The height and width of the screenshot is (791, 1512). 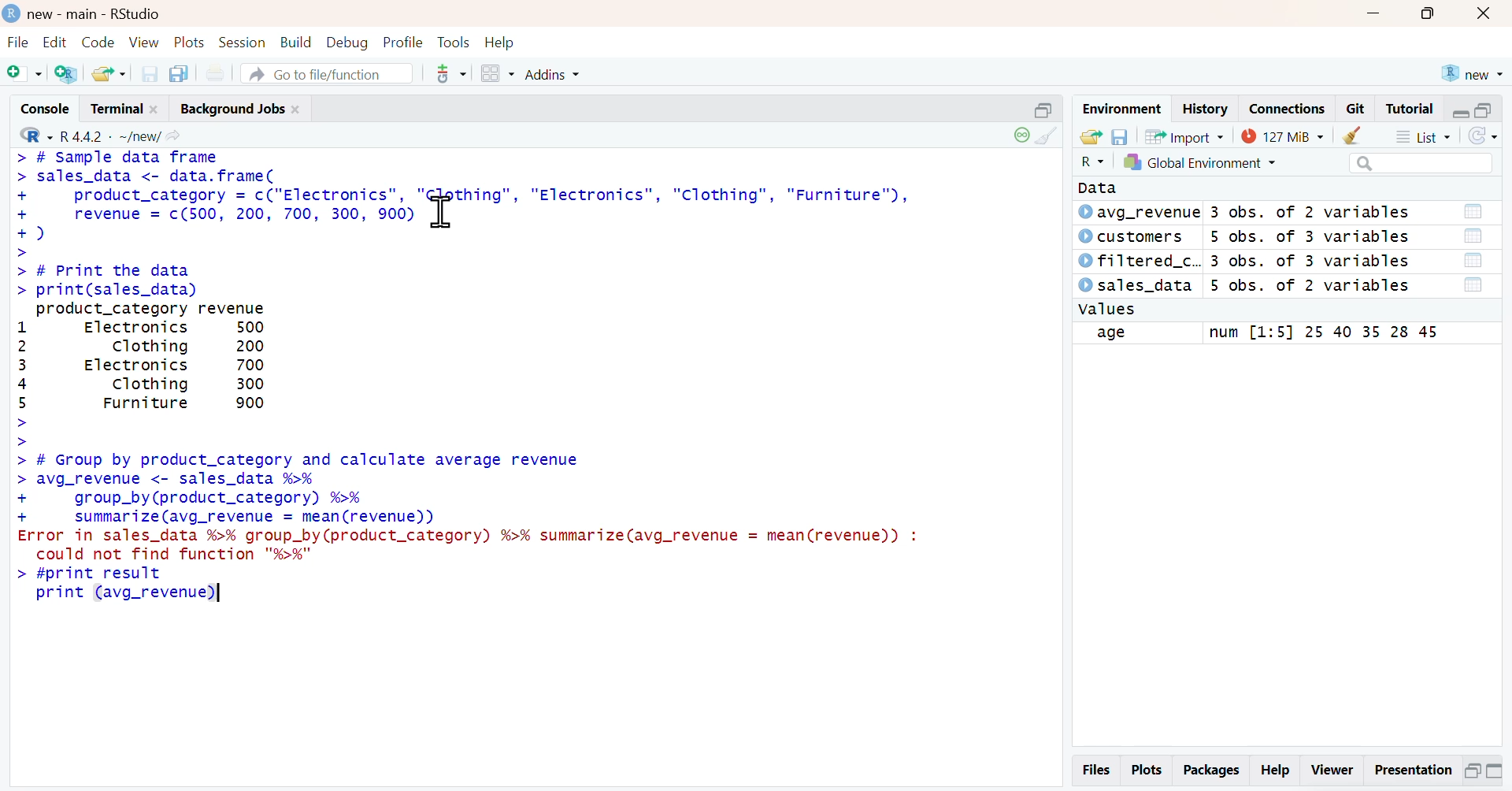 What do you see at coordinates (1483, 14) in the screenshot?
I see `Close` at bounding box center [1483, 14].